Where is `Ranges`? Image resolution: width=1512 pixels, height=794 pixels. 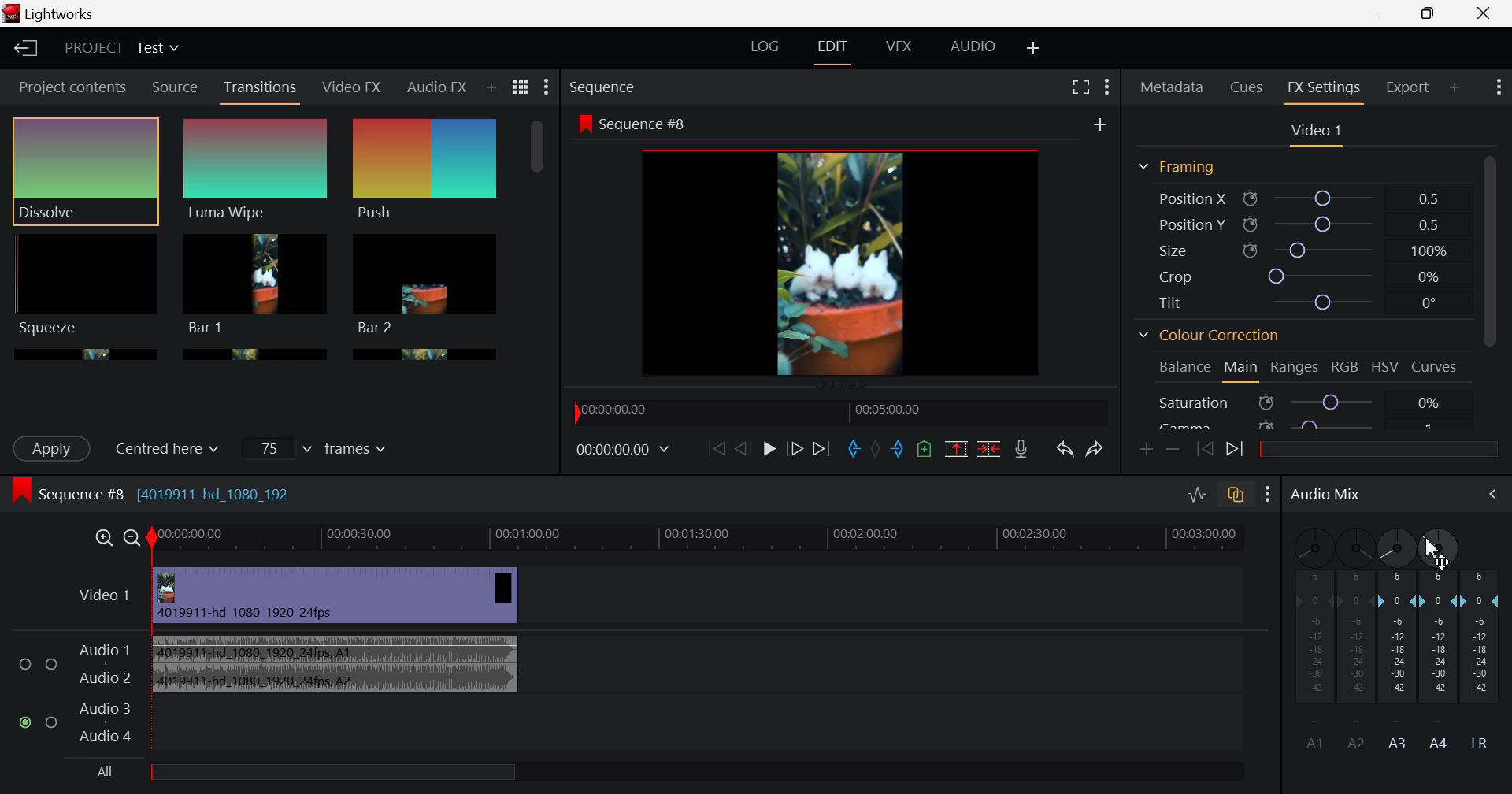 Ranges is located at coordinates (1295, 368).